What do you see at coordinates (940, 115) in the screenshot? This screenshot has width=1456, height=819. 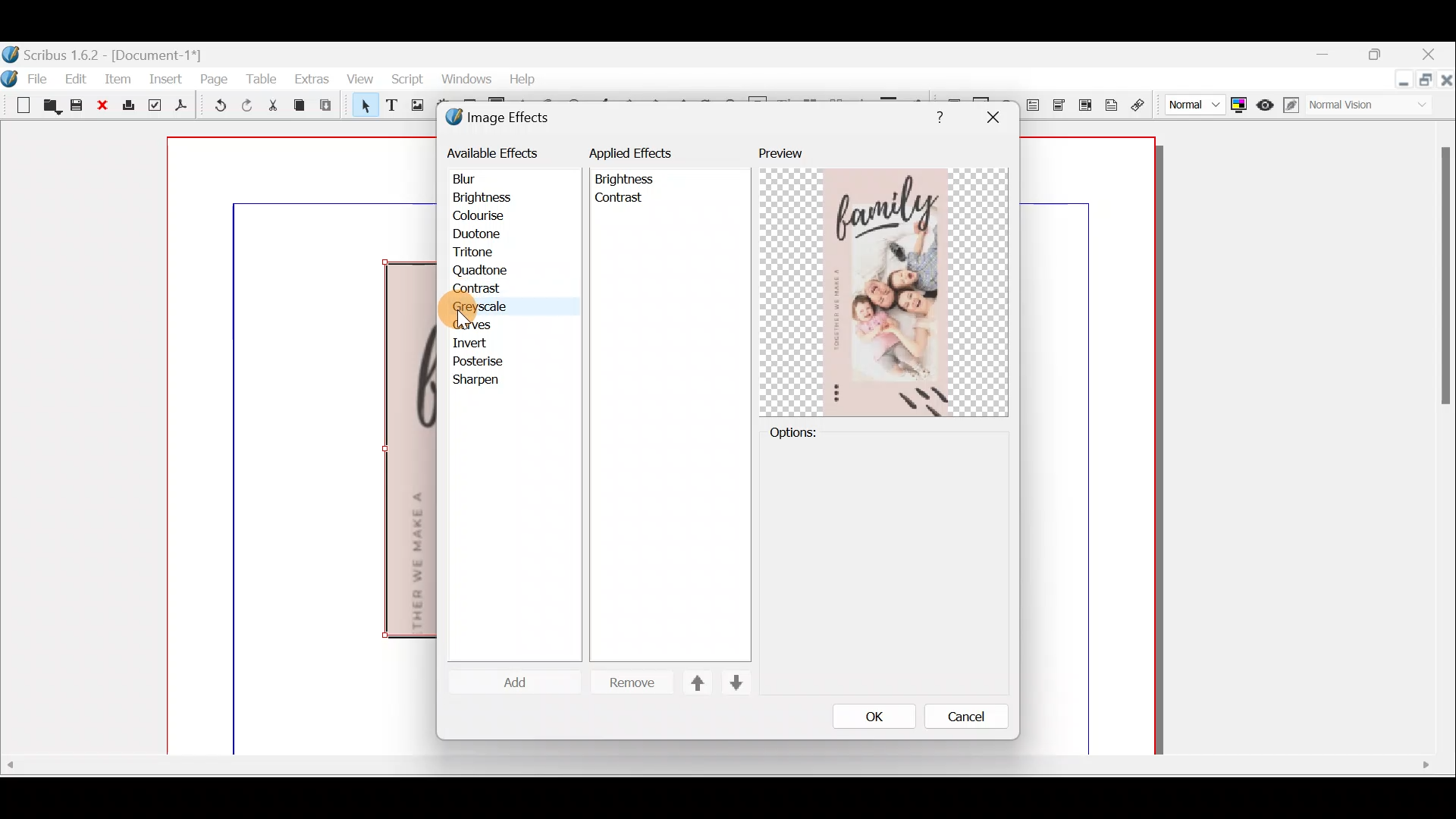 I see `Help` at bounding box center [940, 115].